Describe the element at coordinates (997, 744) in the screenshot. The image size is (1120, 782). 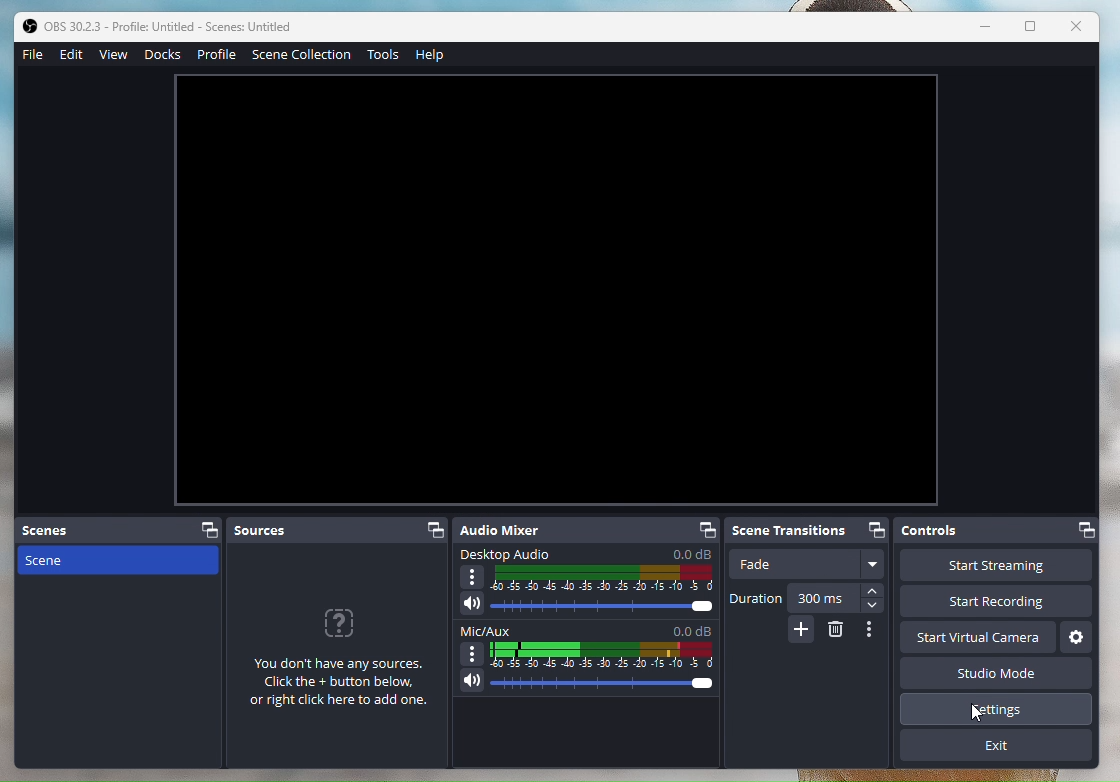
I see `Exit` at that location.